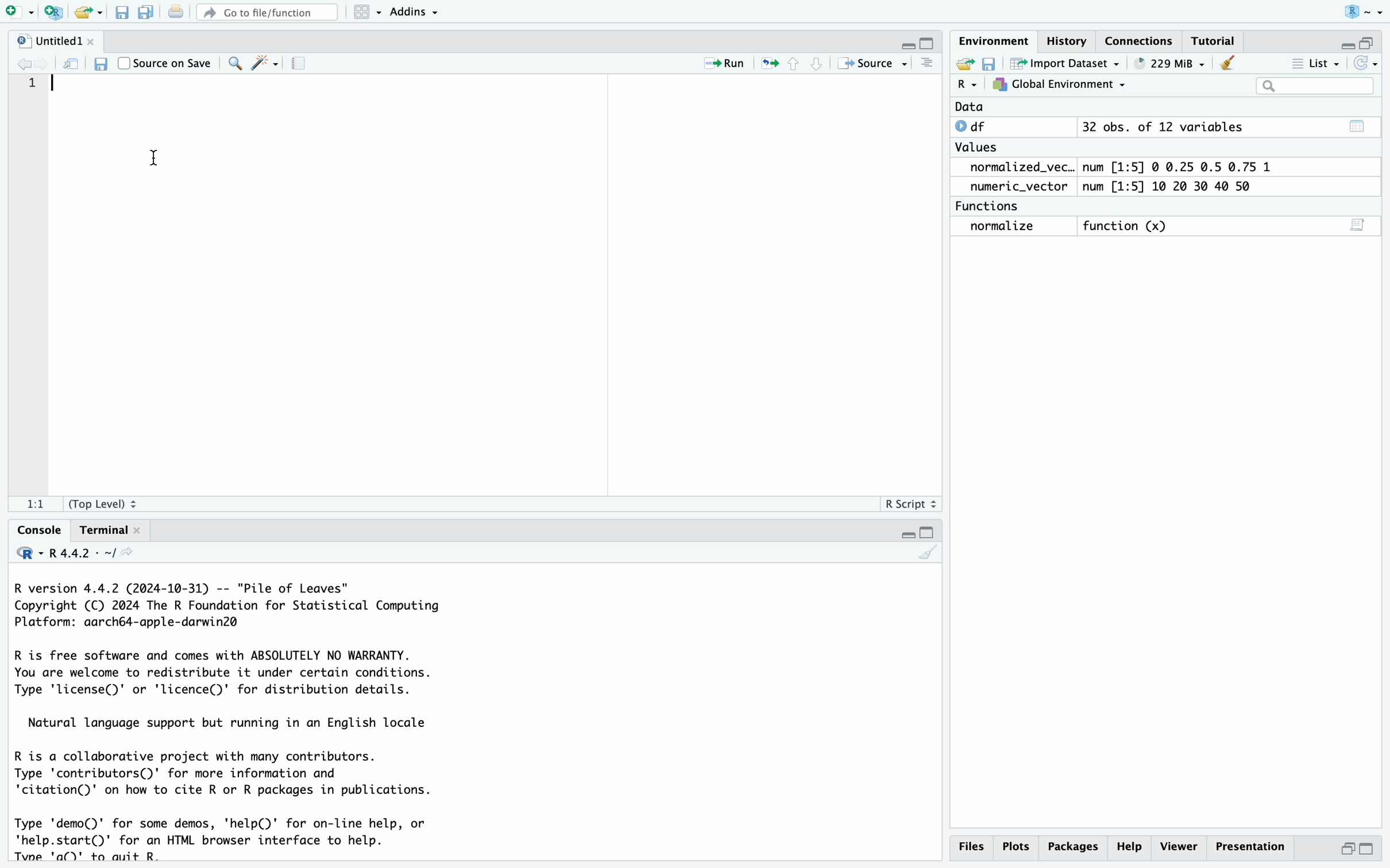  Describe the element at coordinates (724, 65) in the screenshot. I see `Run current file` at that location.